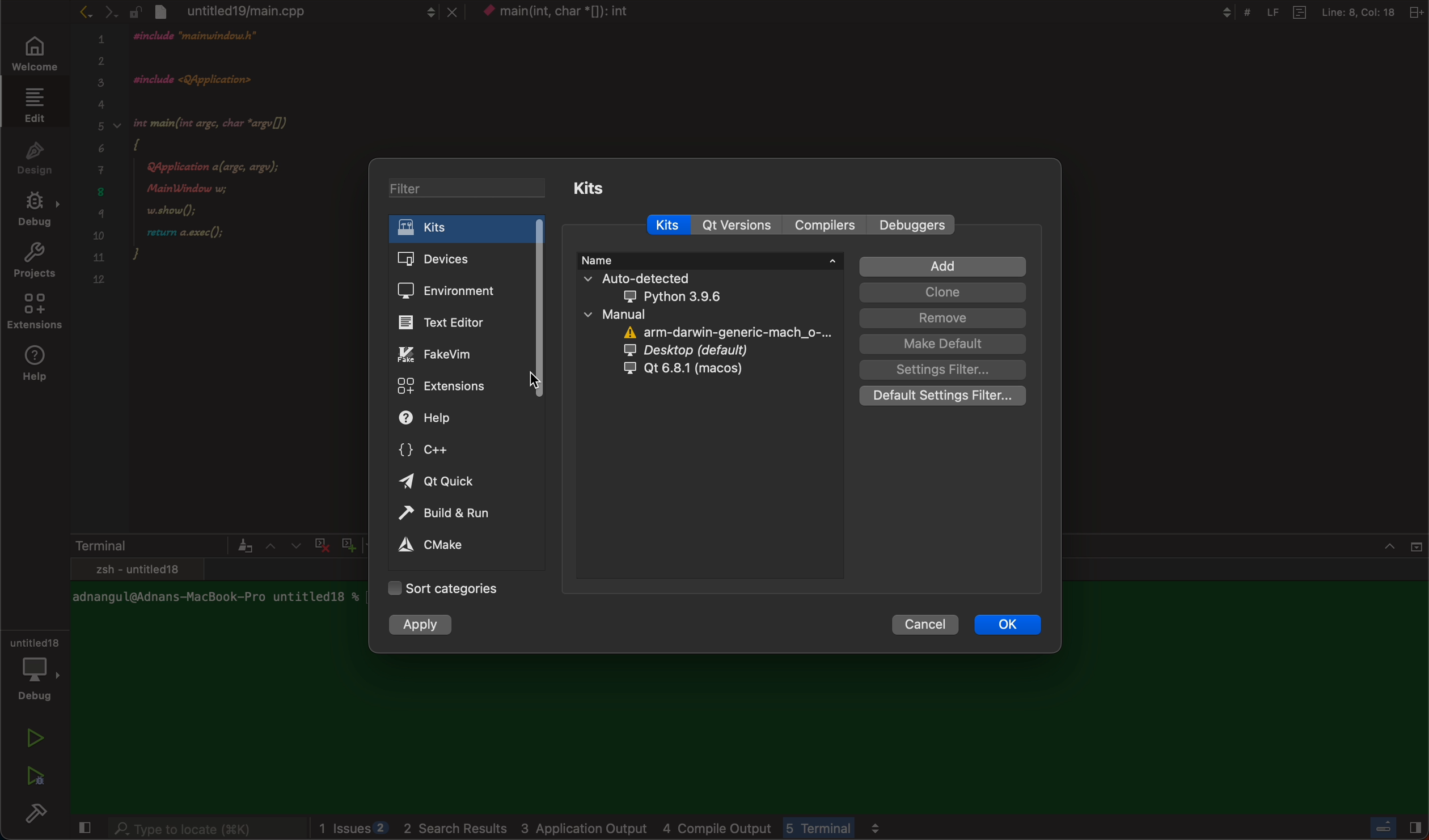  I want to click on fakevim, so click(465, 354).